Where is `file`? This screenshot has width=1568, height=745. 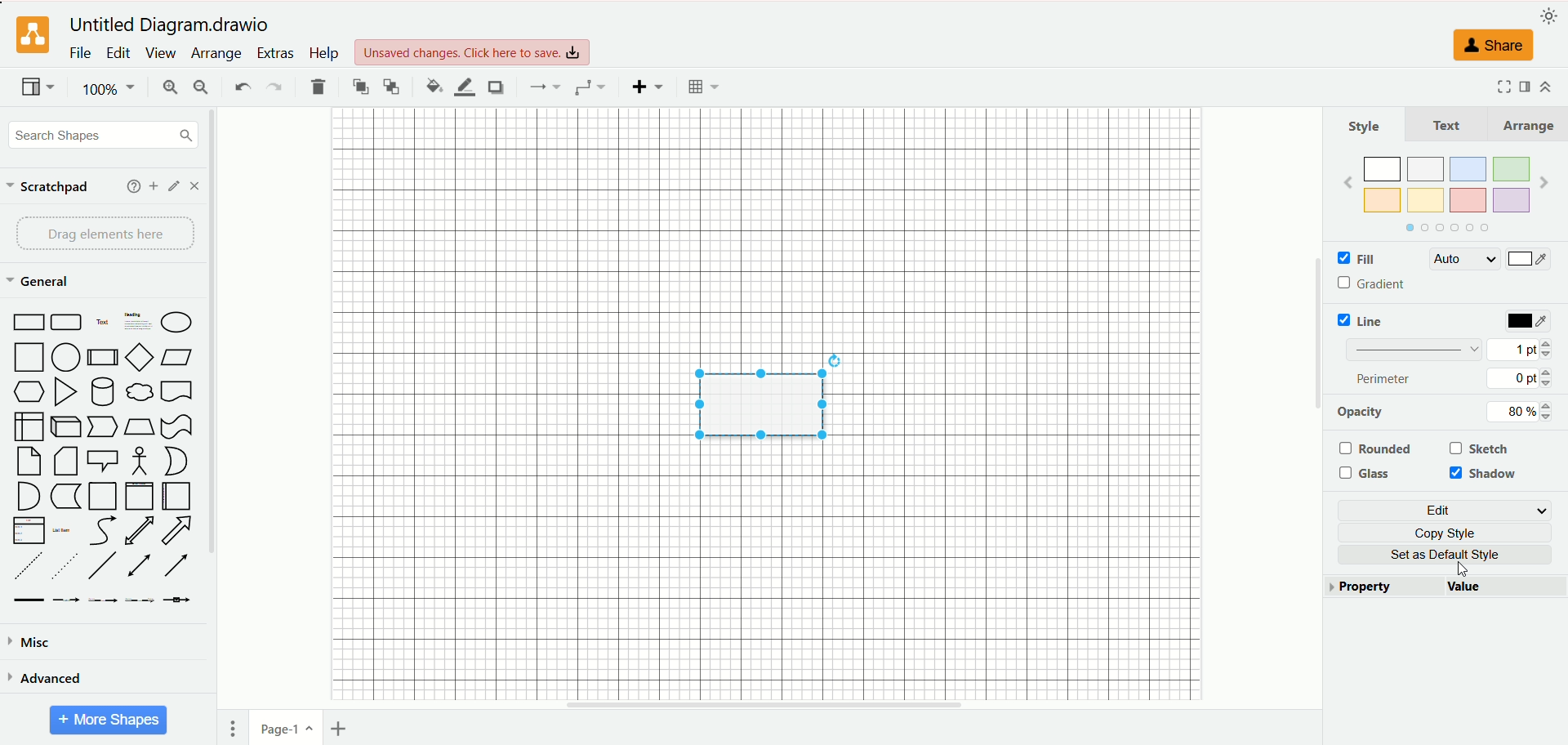
file is located at coordinates (81, 52).